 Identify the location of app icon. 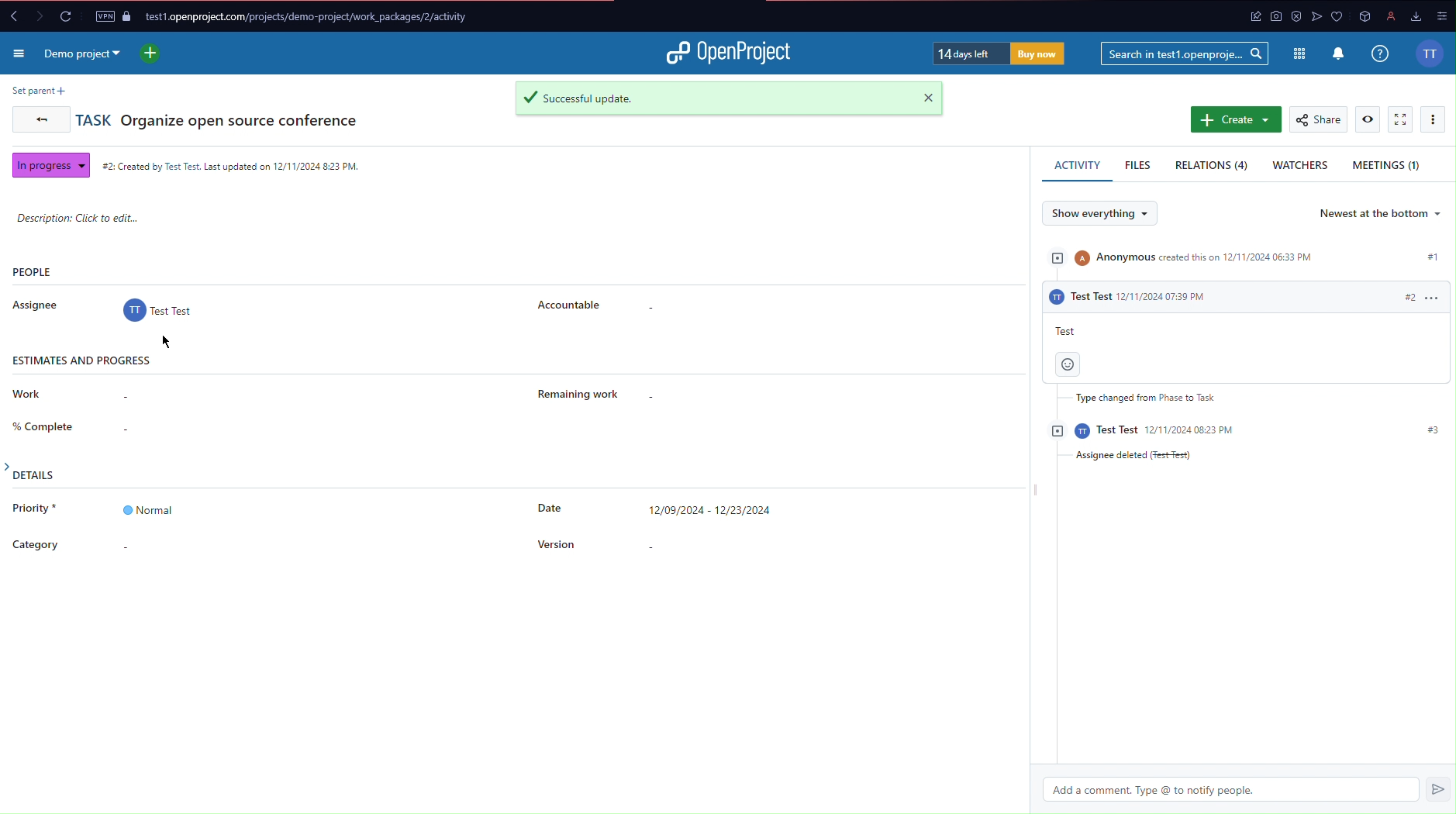
(1367, 16).